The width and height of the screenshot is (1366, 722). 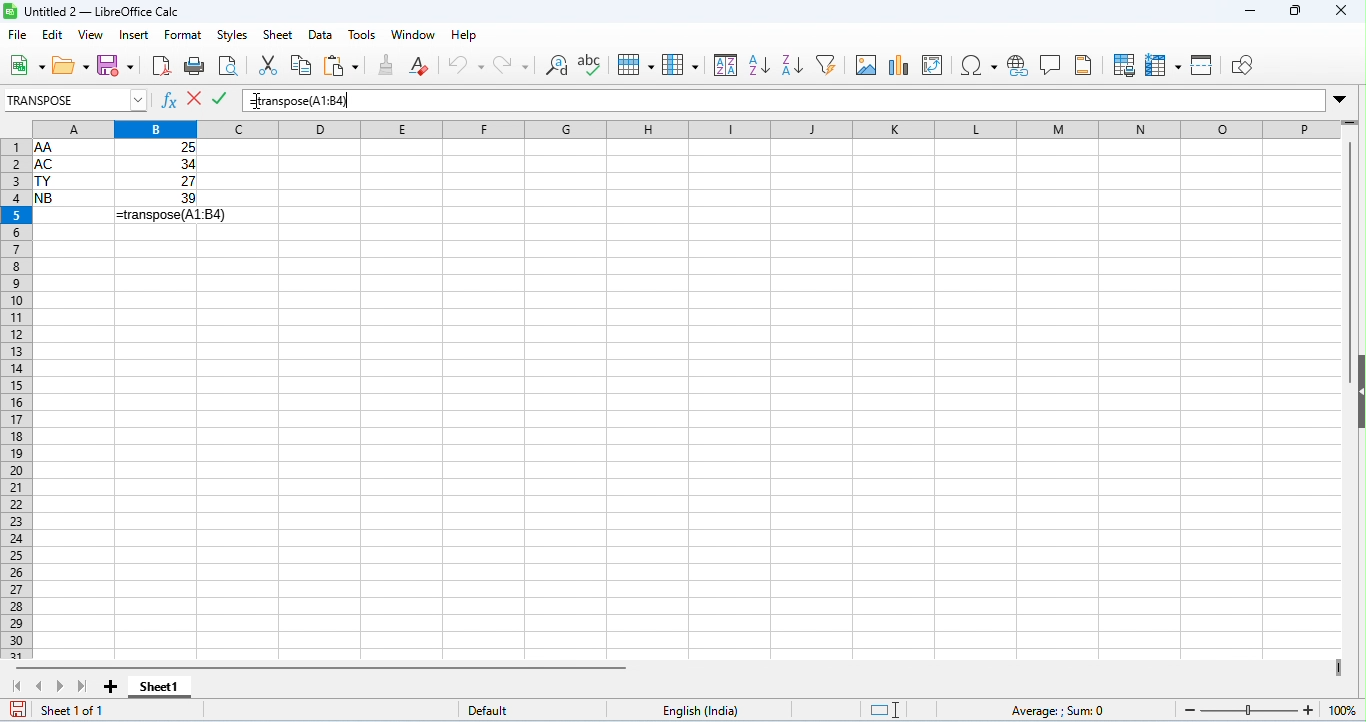 I want to click on formula bar, so click(x=848, y=102).